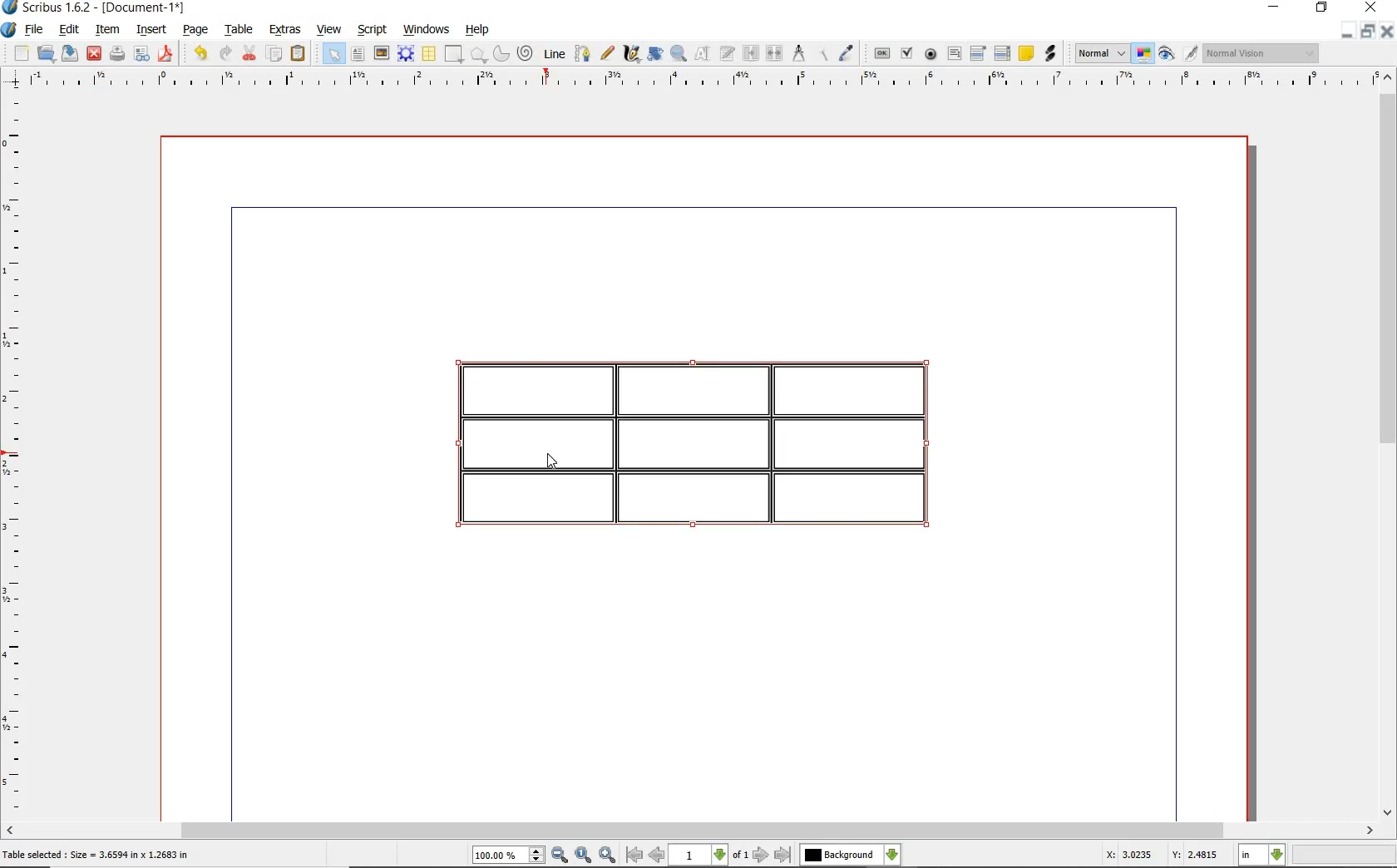 The image size is (1397, 868). I want to click on select current zoom level, so click(509, 856).